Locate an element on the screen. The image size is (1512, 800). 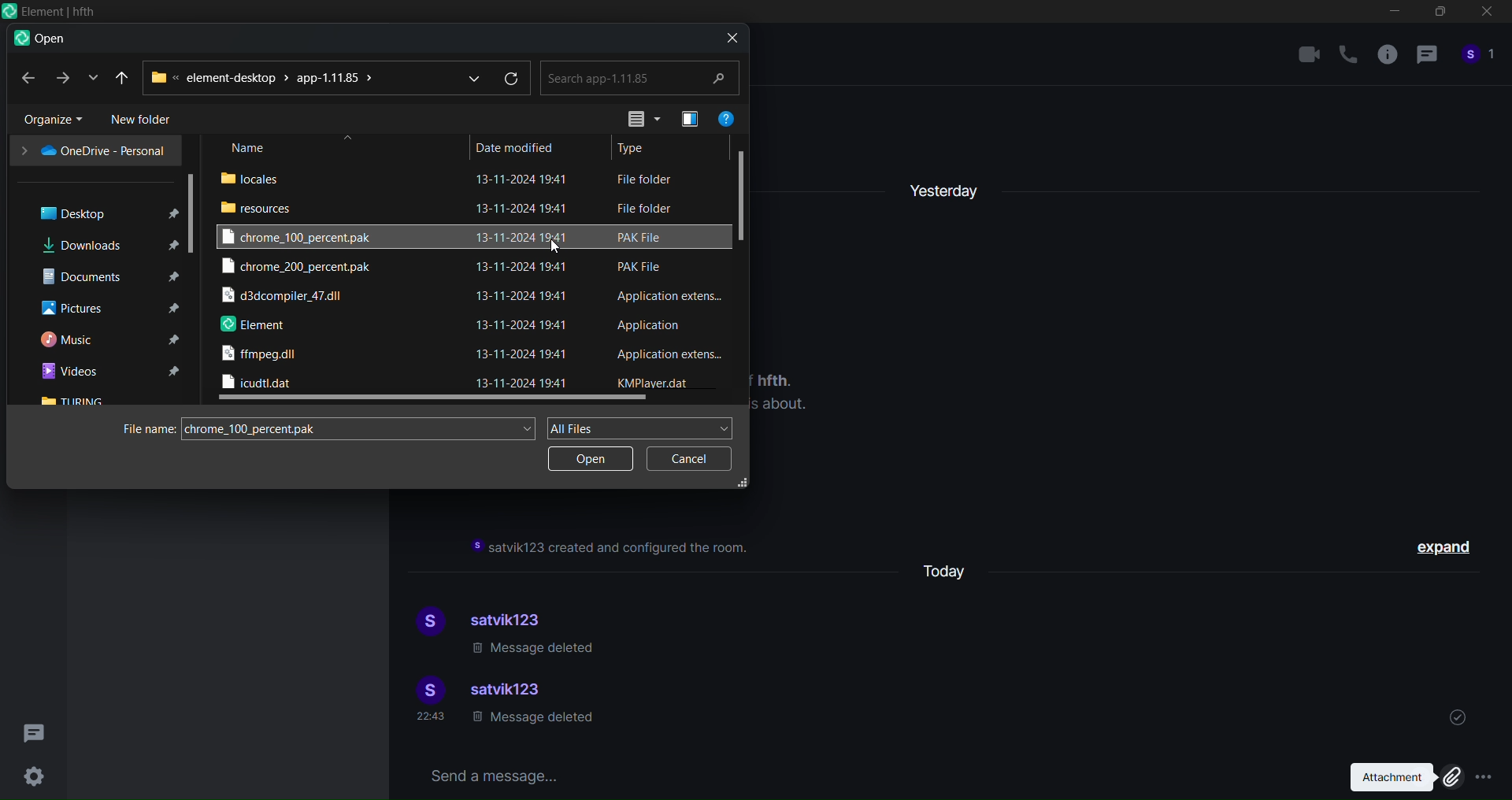
satvik123 is located at coordinates (514, 617).